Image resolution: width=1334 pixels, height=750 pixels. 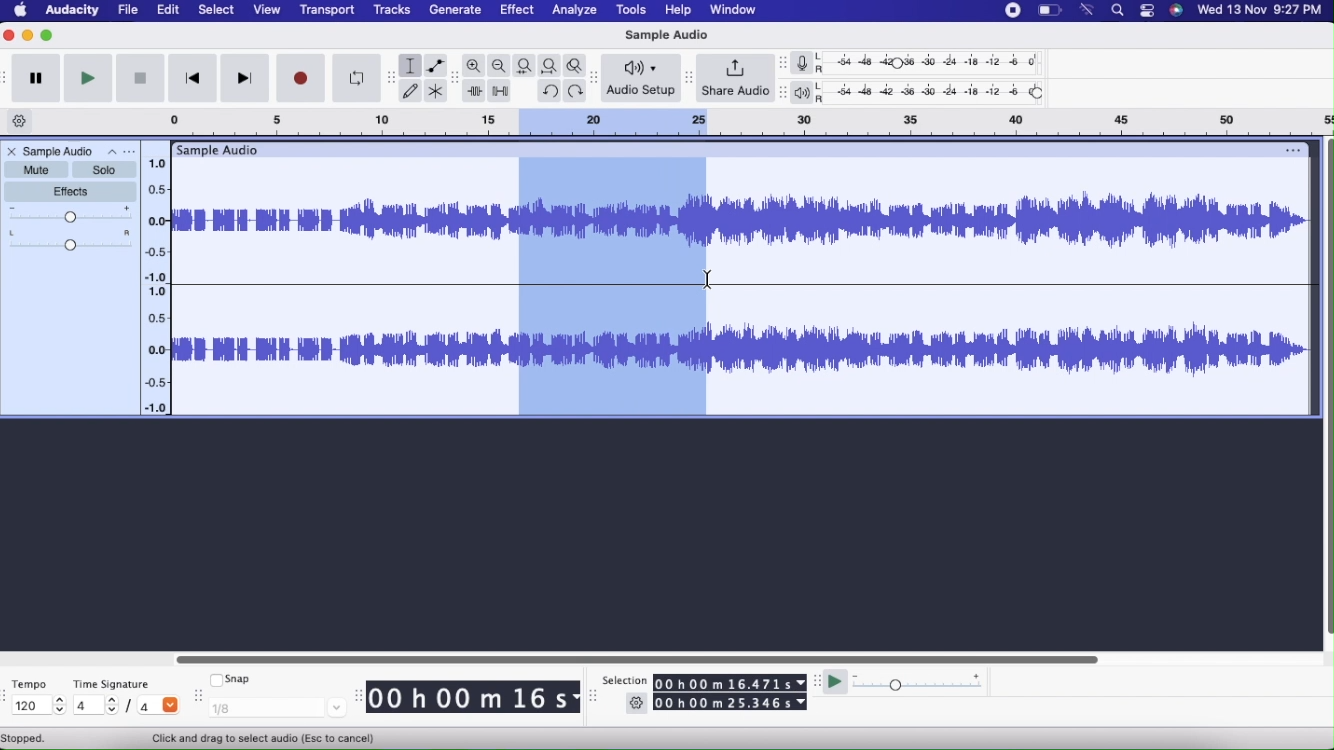 I want to click on Gain Slider, so click(x=71, y=215).